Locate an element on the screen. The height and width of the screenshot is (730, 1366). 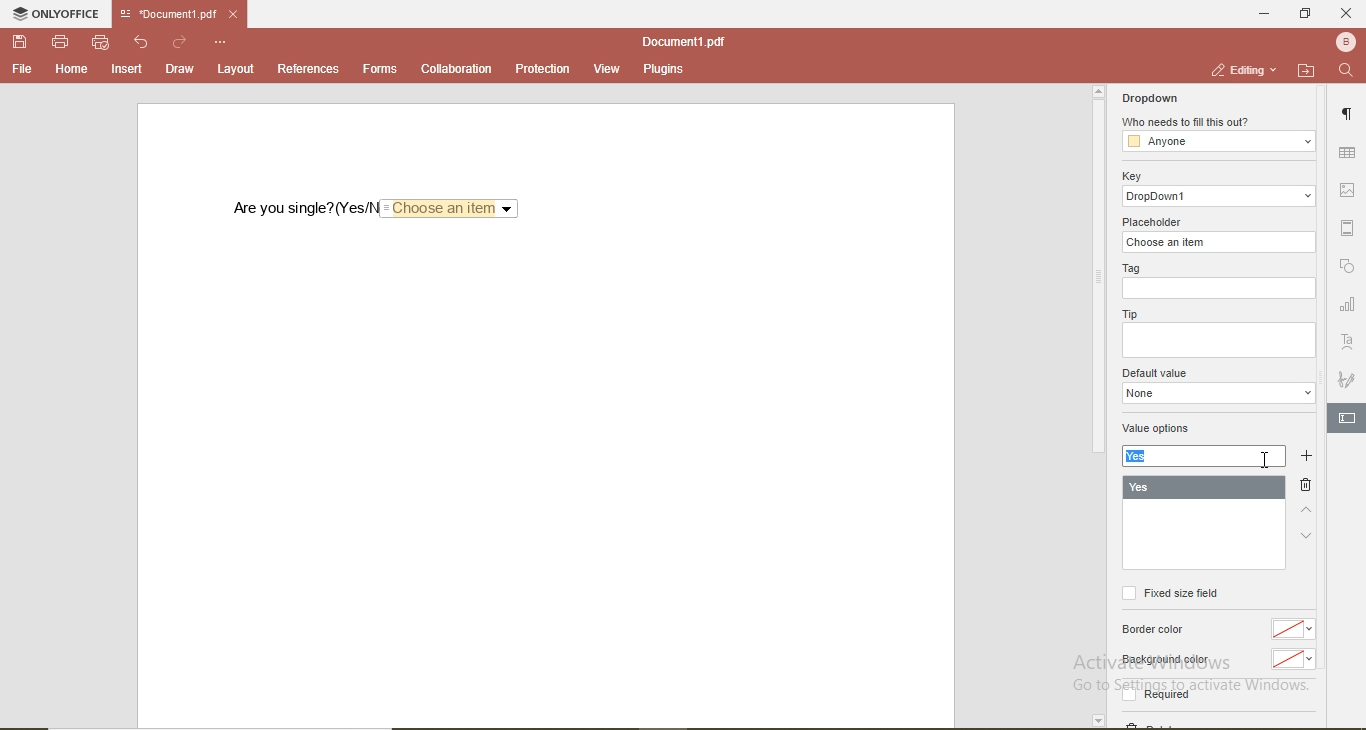
plugins is located at coordinates (660, 69).